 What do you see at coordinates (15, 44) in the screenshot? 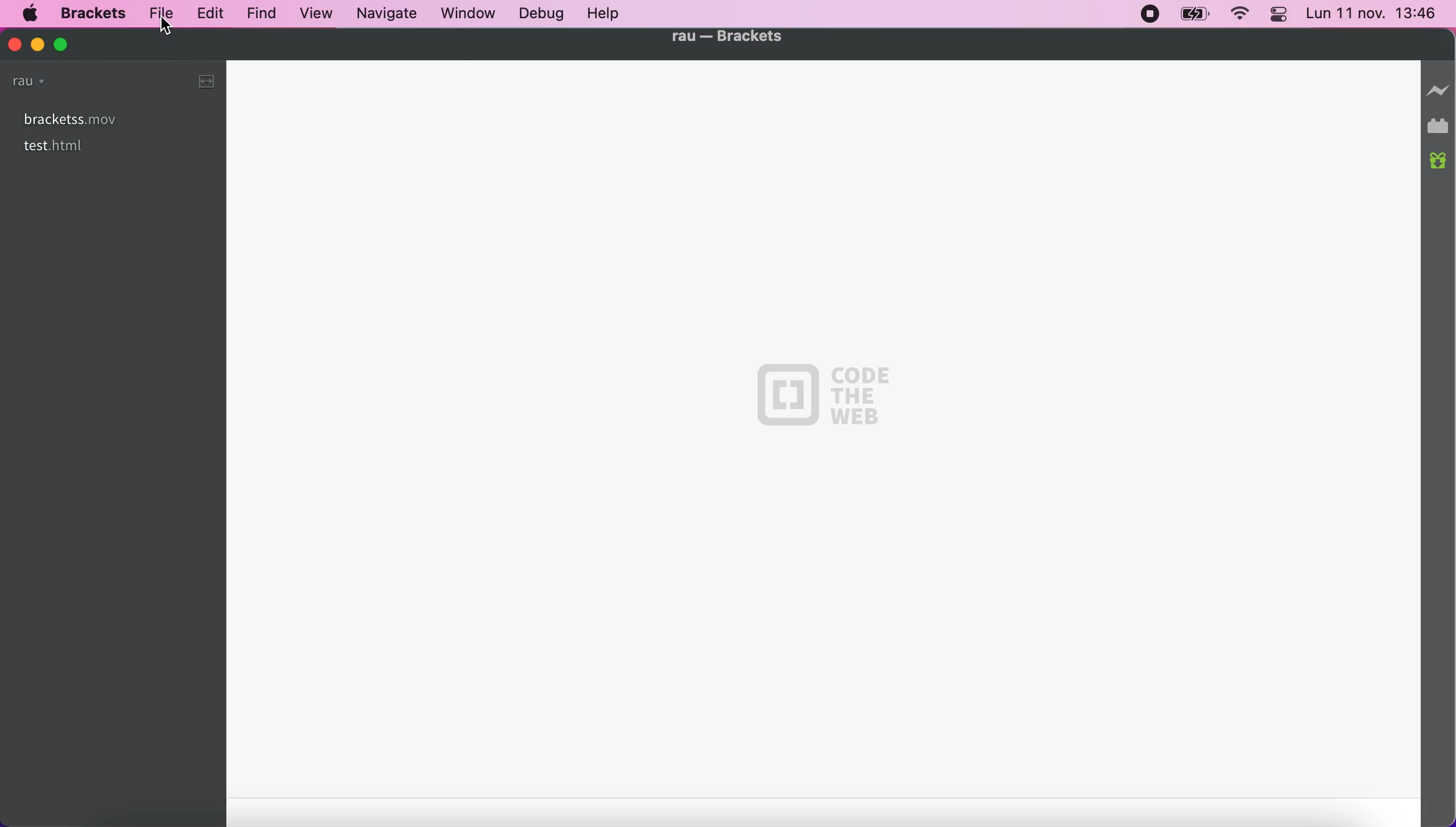
I see `close` at bounding box center [15, 44].